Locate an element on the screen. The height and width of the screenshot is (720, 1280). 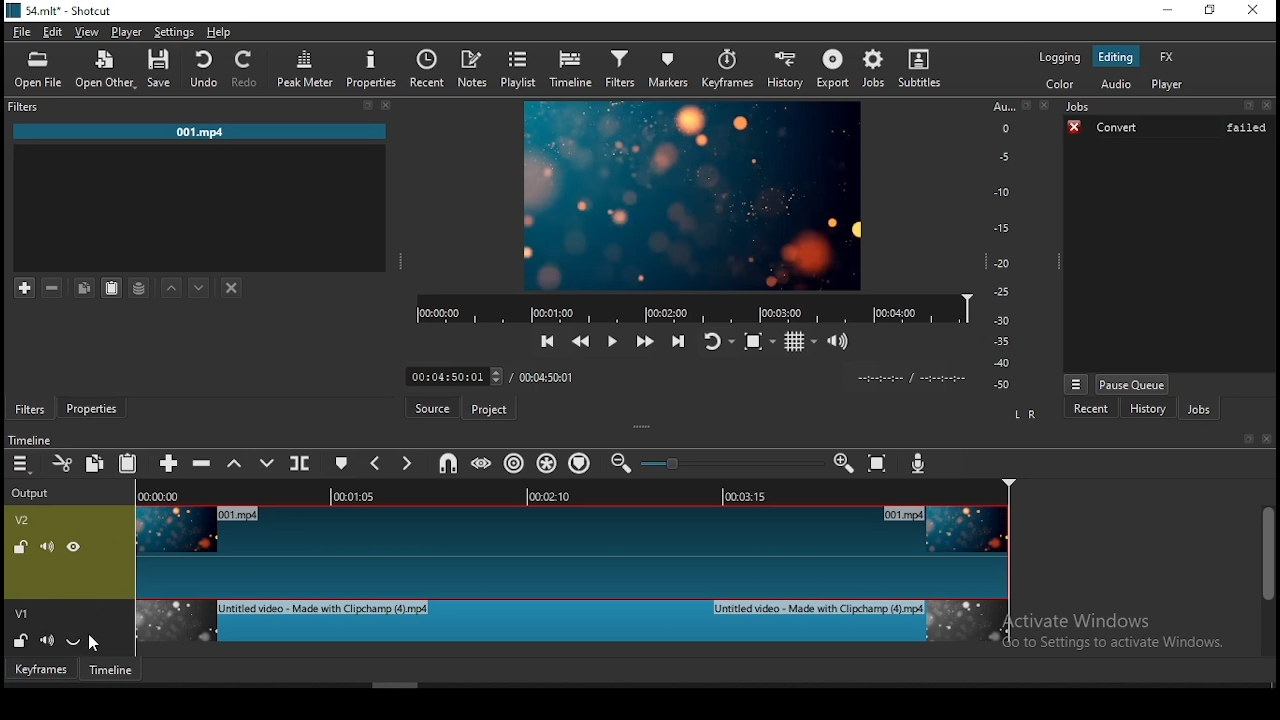
(un)lock is located at coordinates (19, 639).